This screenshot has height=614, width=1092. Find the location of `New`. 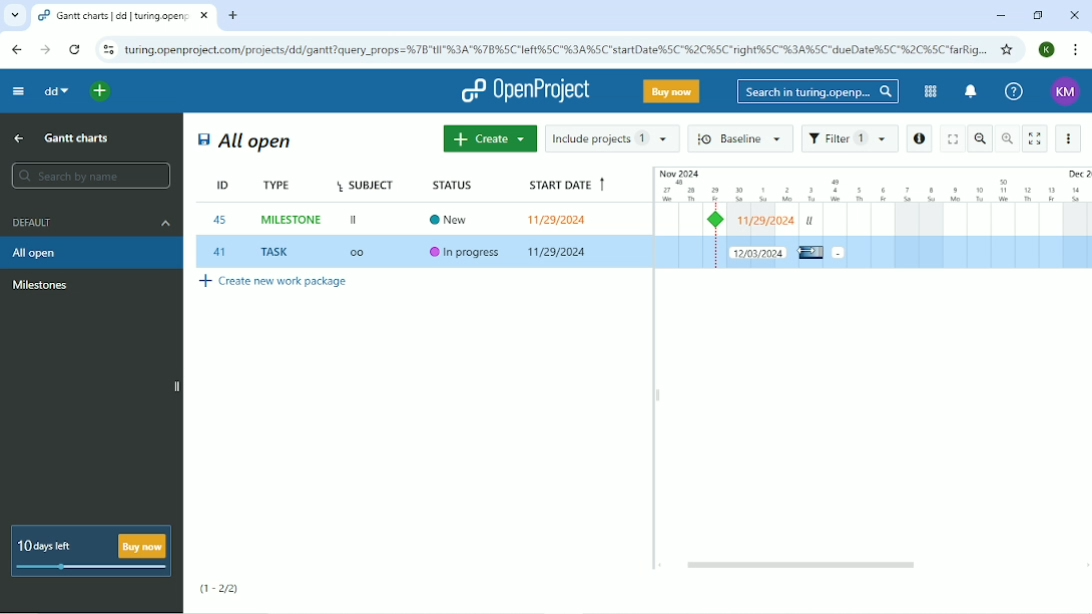

New is located at coordinates (454, 218).